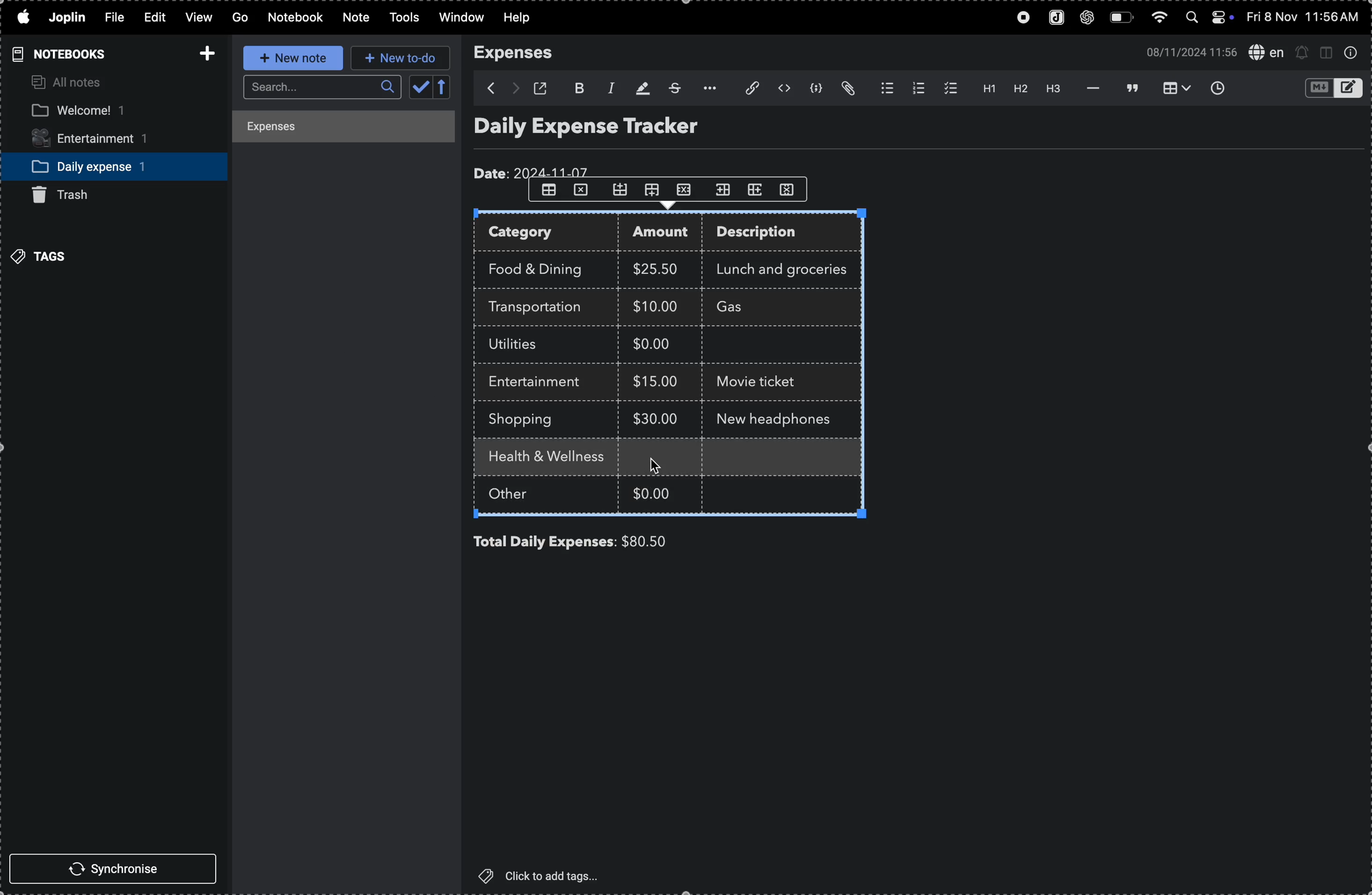 This screenshot has width=1372, height=895. Describe the element at coordinates (1302, 52) in the screenshot. I see `alerts` at that location.